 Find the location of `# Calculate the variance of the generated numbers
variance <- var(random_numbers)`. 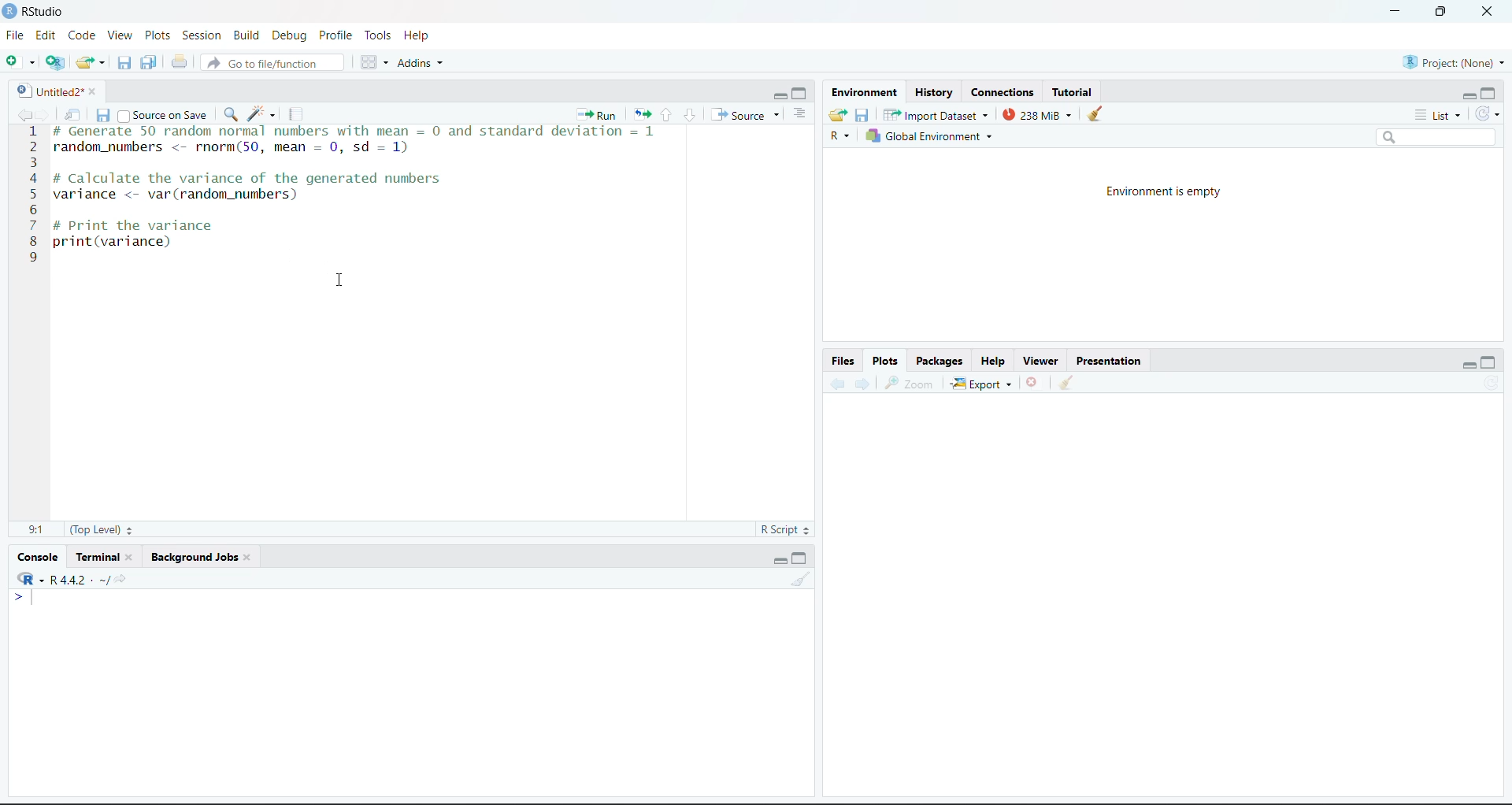

# Calculate the variance of the generated numbers
variance <- var(random_numbers) is located at coordinates (253, 188).